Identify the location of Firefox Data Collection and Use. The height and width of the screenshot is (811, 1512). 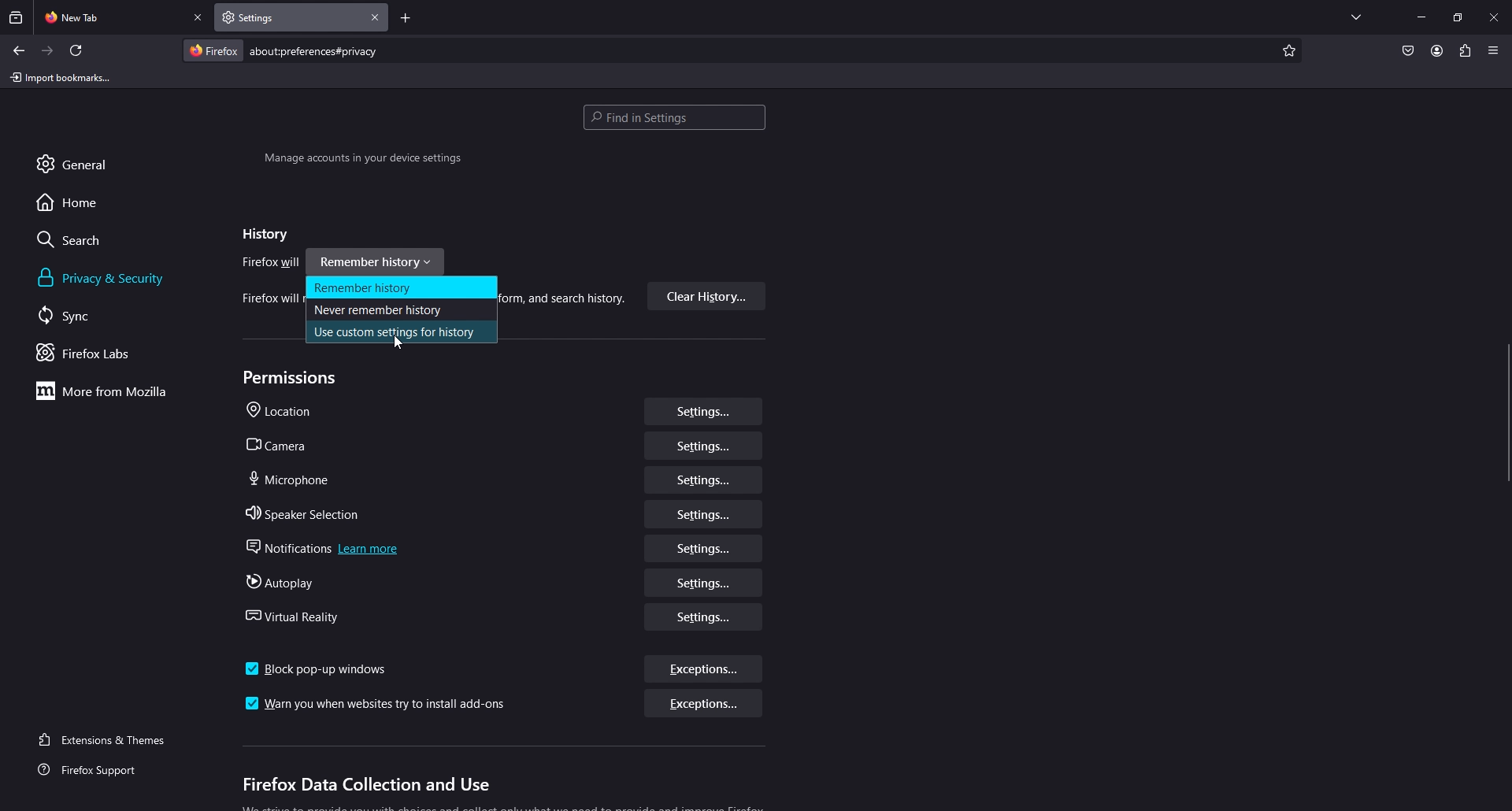
(365, 786).